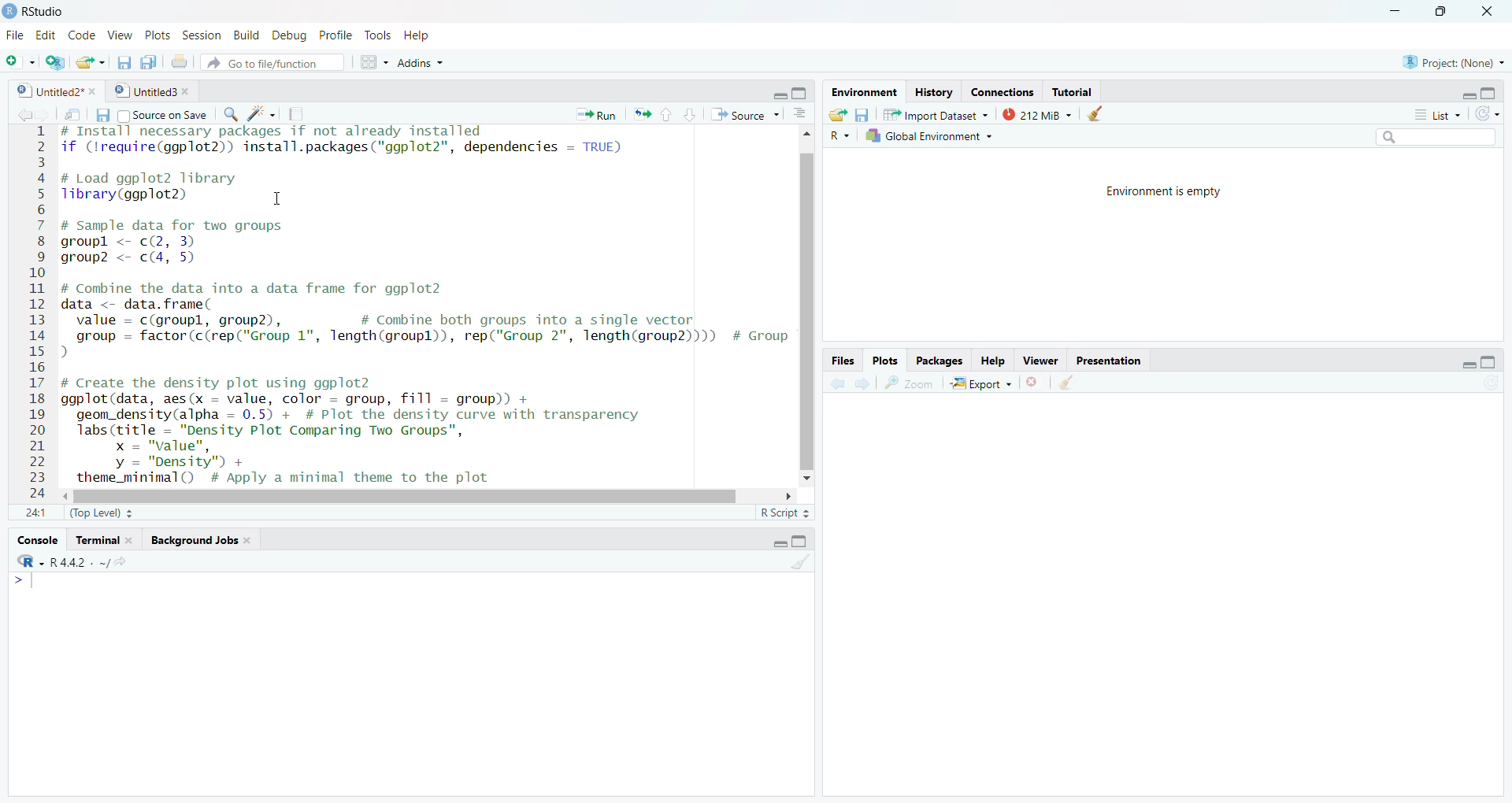 This screenshot has width=1512, height=803. What do you see at coordinates (335, 35) in the screenshot?
I see `profile` at bounding box center [335, 35].